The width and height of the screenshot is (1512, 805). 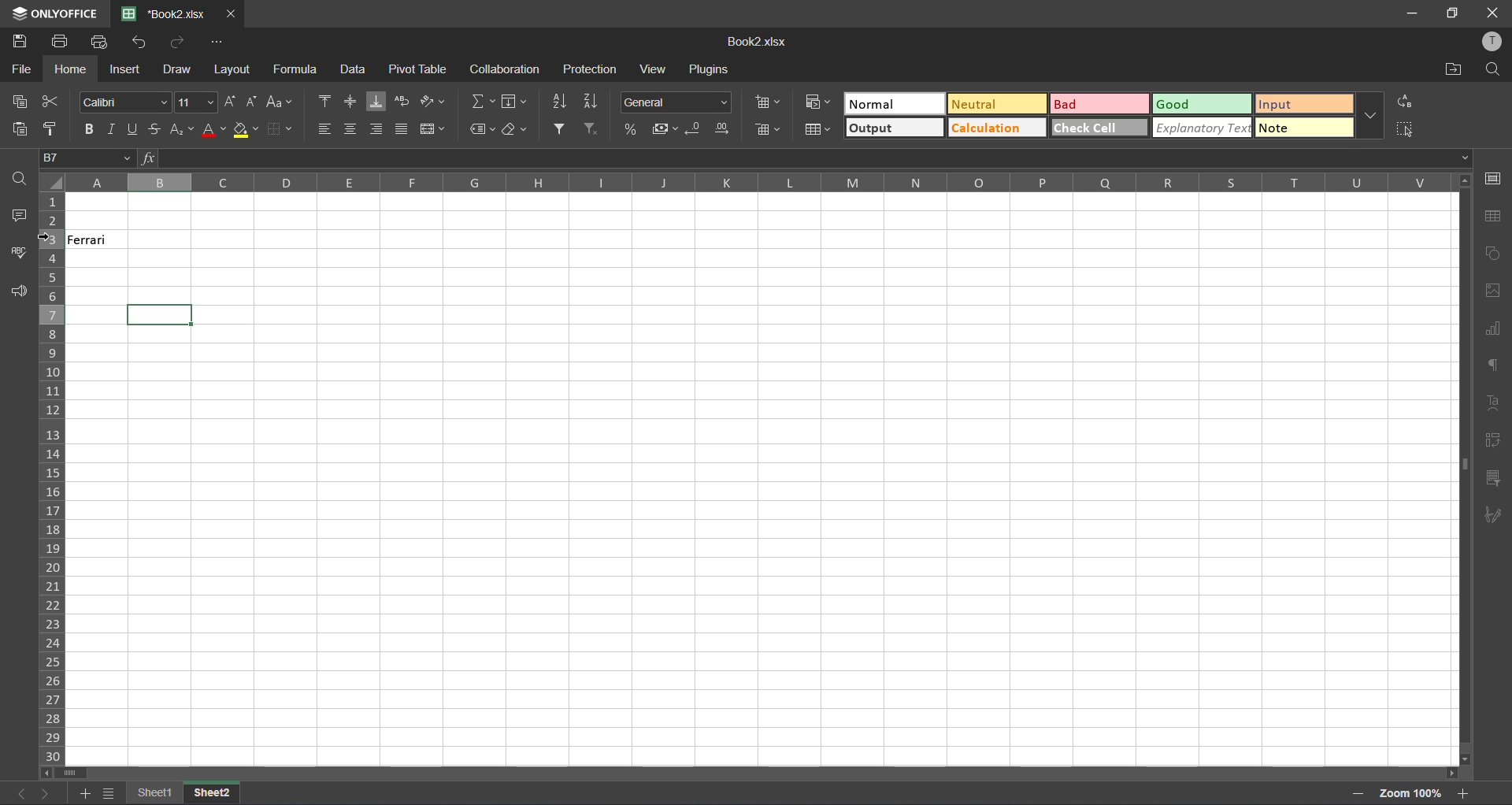 What do you see at coordinates (1407, 102) in the screenshot?
I see `replace` at bounding box center [1407, 102].